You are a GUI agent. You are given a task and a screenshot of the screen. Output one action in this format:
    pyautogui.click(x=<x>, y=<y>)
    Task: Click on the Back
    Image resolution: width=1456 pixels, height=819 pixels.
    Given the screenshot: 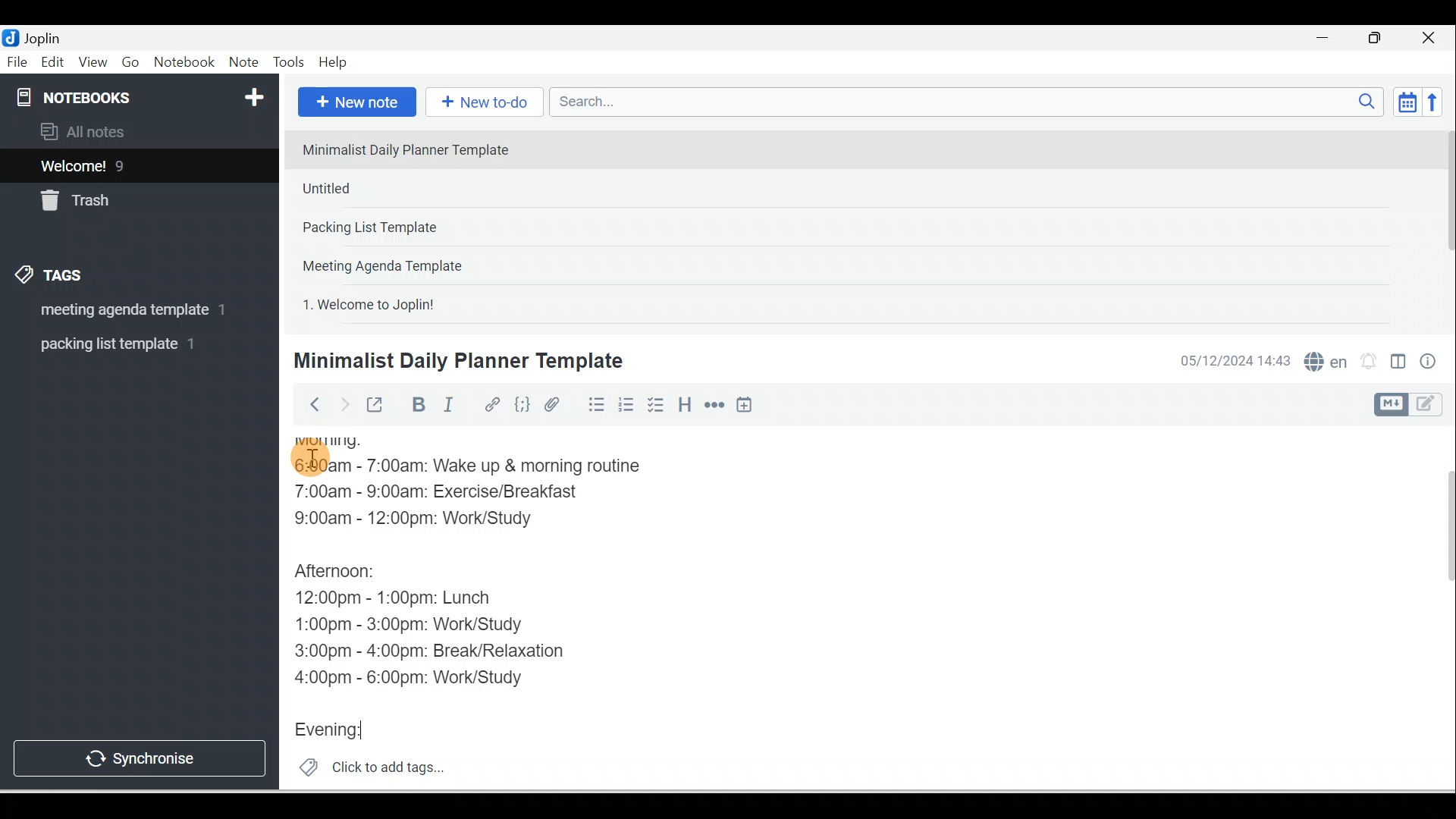 What is the action you would take?
    pyautogui.click(x=308, y=404)
    